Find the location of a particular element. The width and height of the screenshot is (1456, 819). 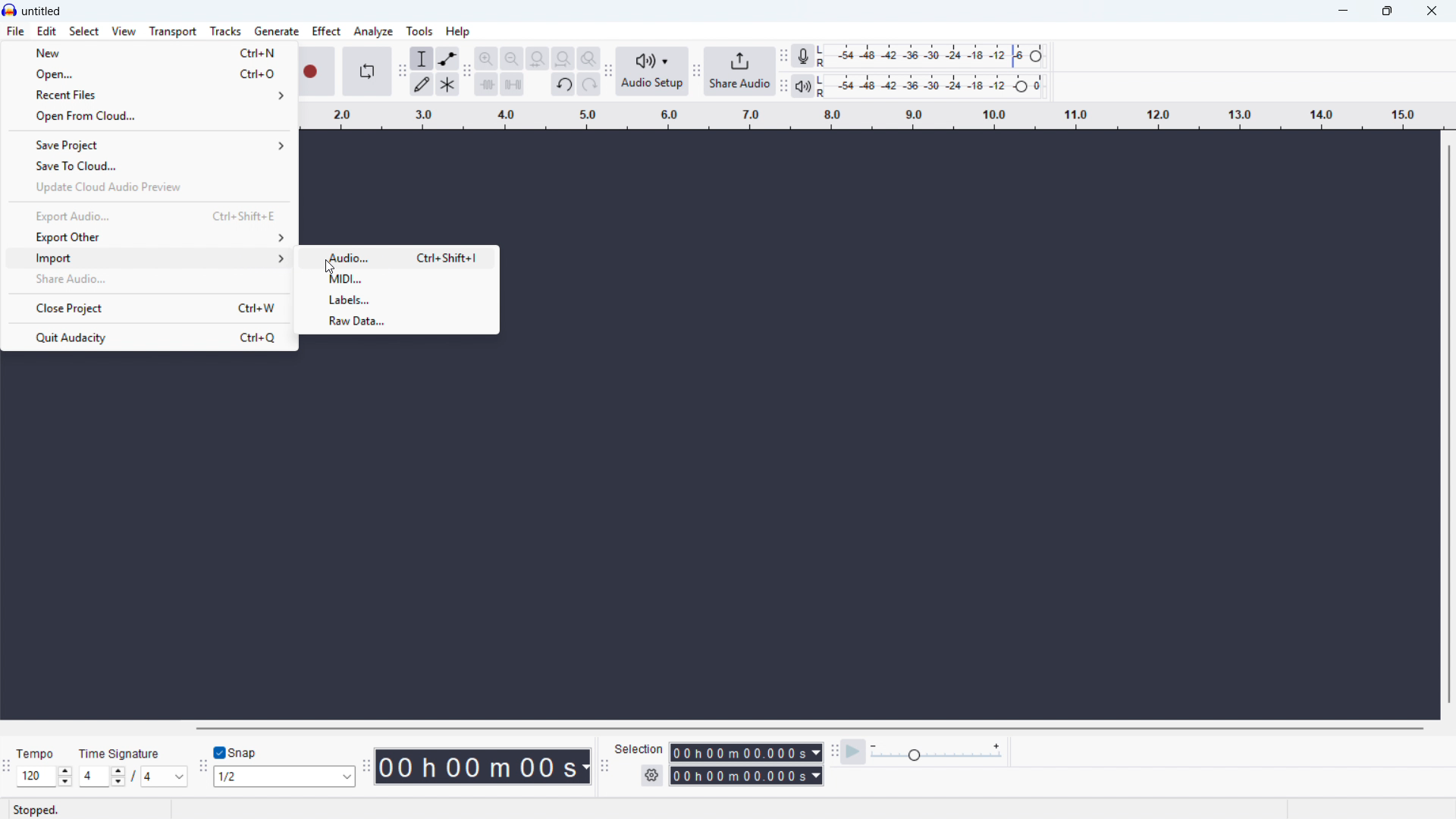

view  is located at coordinates (124, 31).